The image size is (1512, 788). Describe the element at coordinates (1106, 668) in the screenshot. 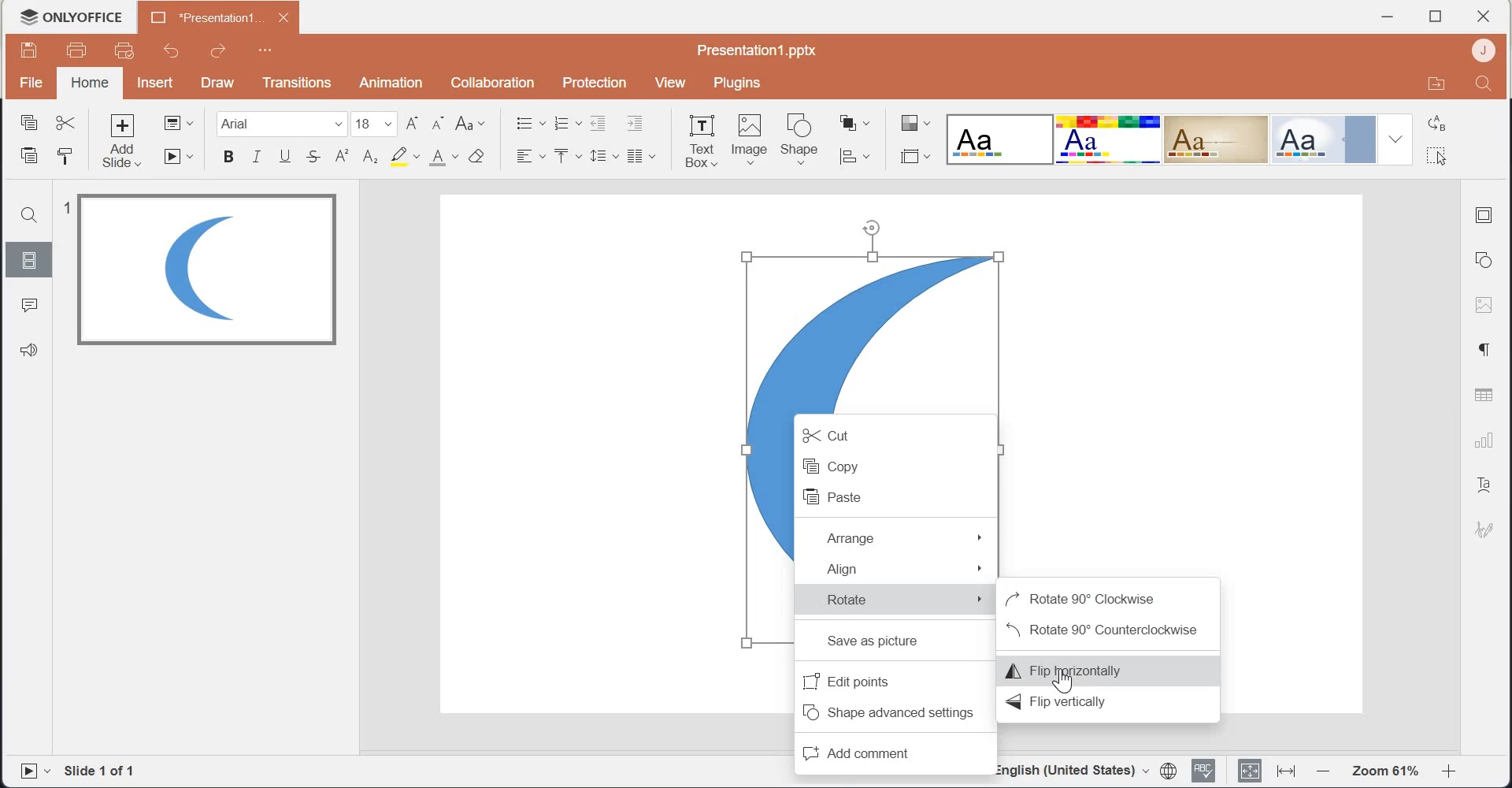

I see `Flip horizontally` at that location.